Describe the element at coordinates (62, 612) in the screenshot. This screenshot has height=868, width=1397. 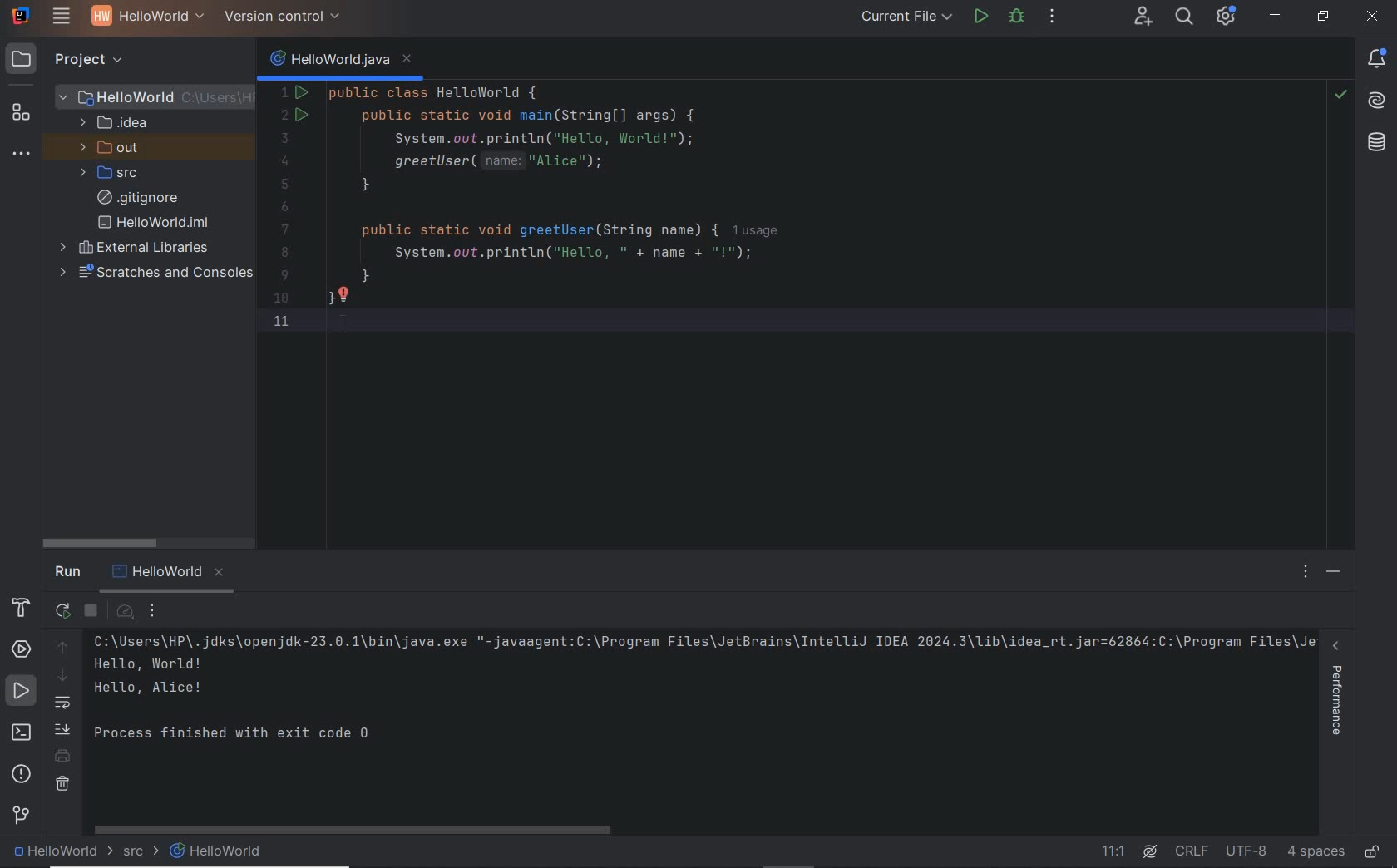
I see `rerun` at that location.